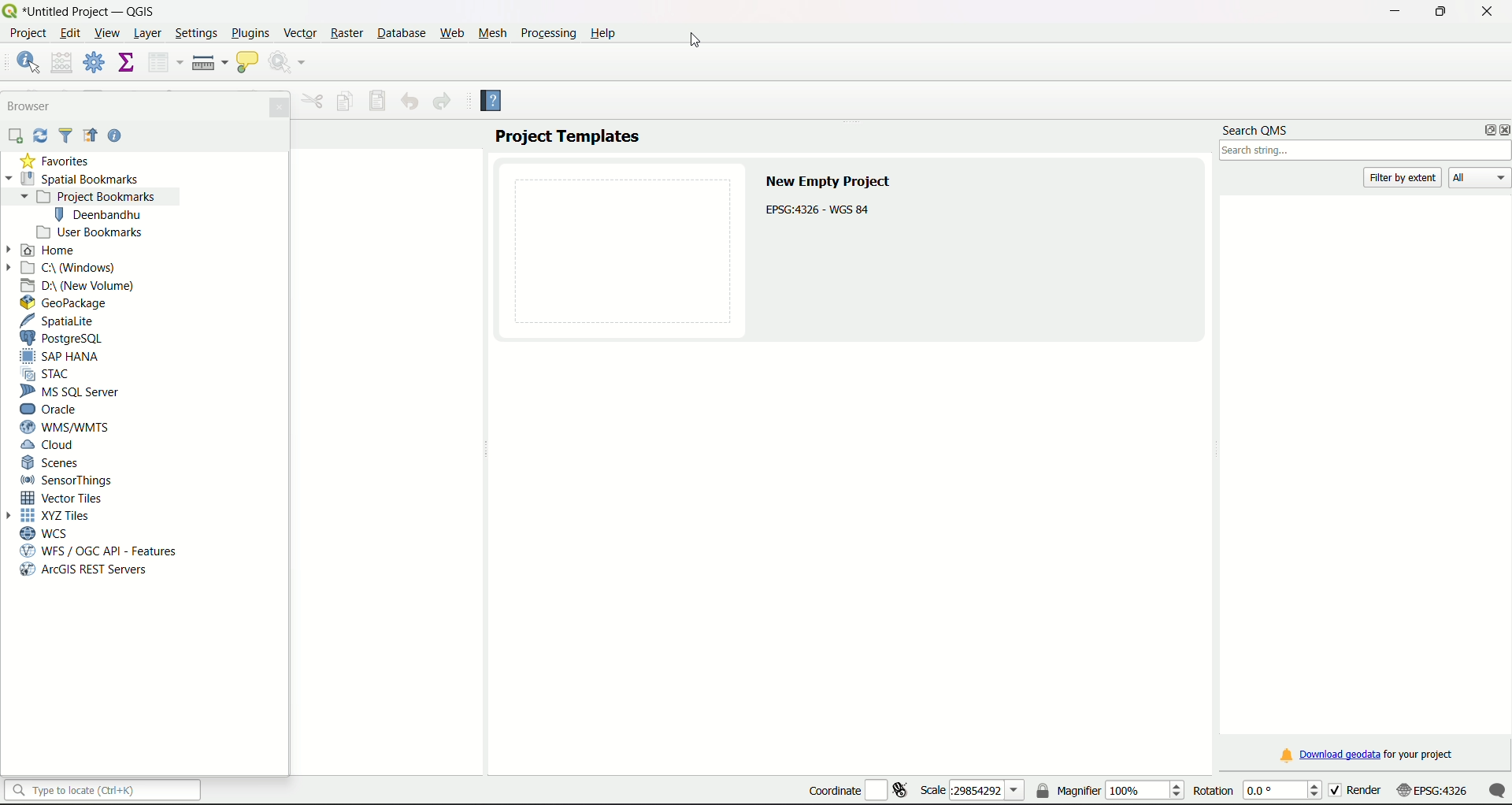 This screenshot has width=1512, height=805. I want to click on project bookmarks, so click(97, 196).